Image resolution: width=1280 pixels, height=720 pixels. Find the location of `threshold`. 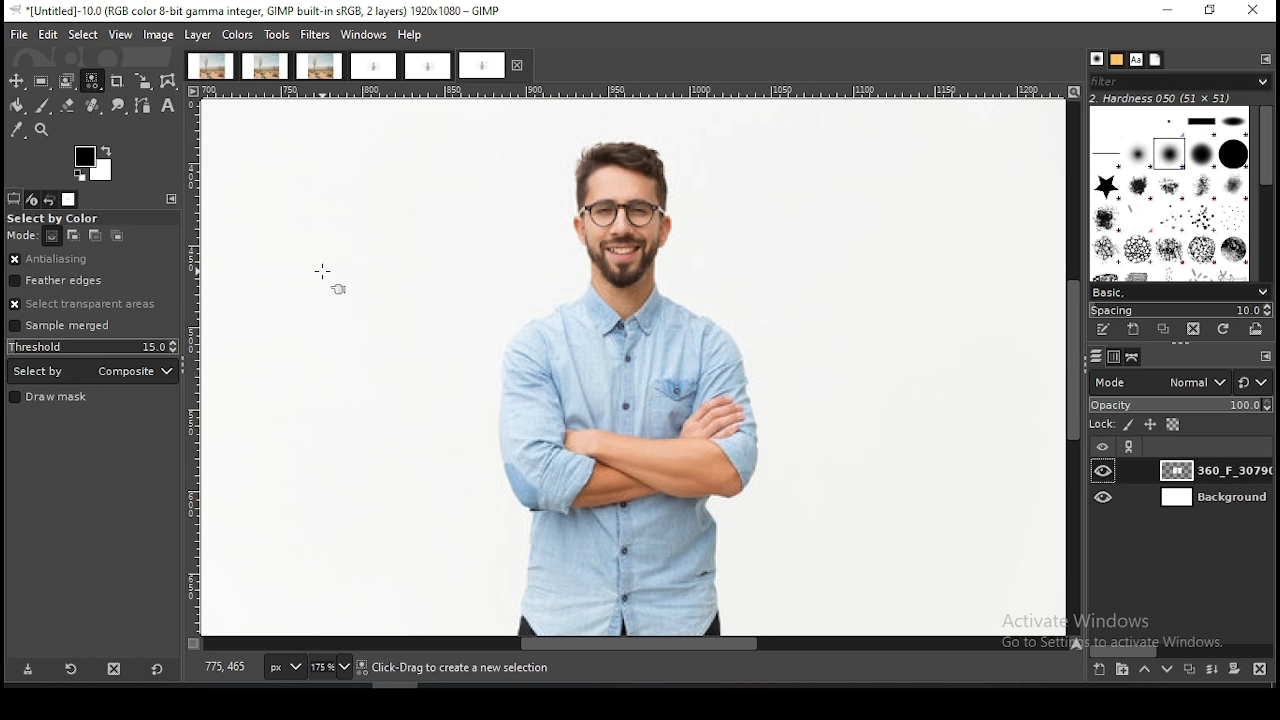

threshold is located at coordinates (93, 346).